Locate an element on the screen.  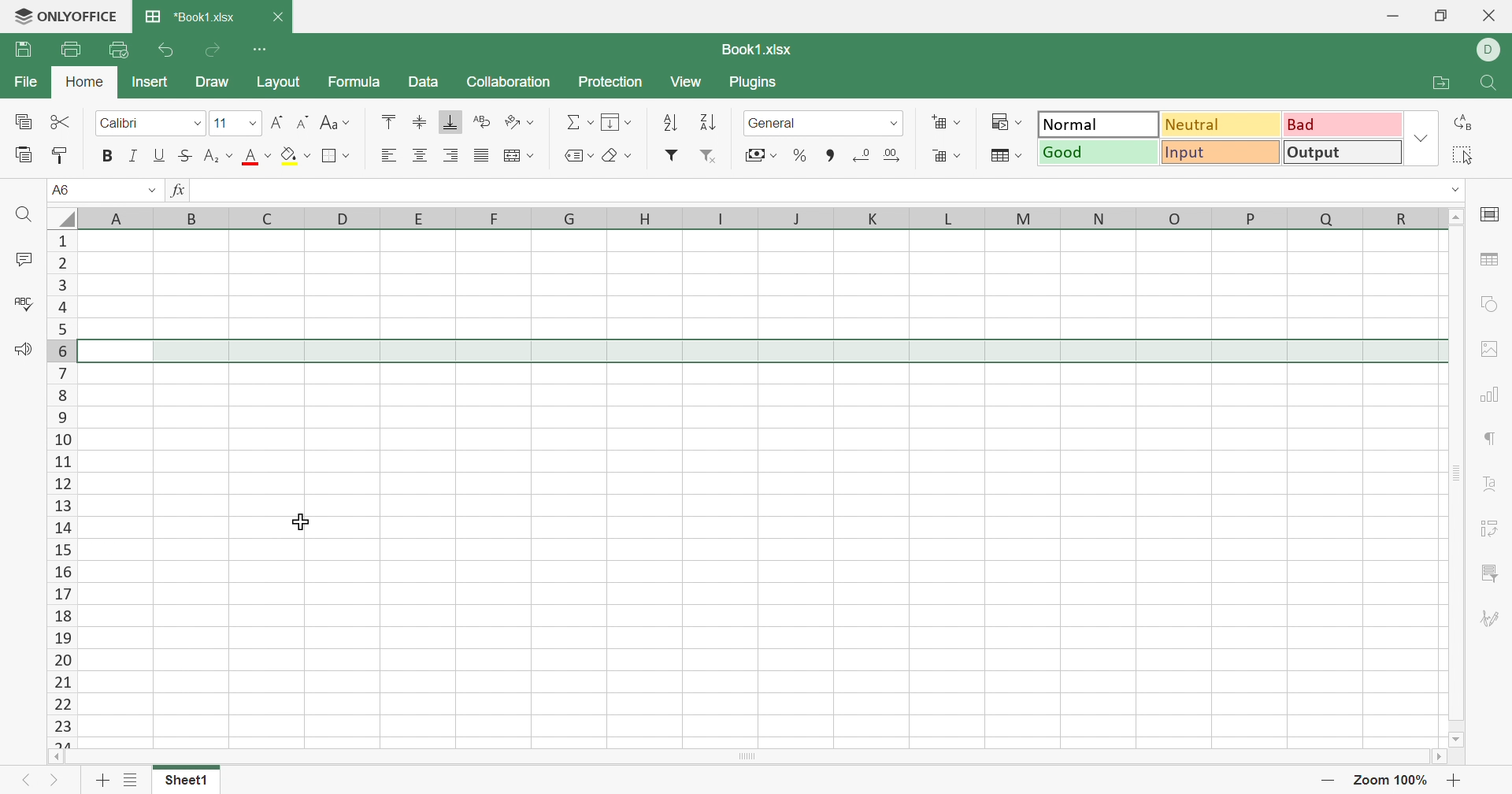
Drop Down is located at coordinates (252, 125).